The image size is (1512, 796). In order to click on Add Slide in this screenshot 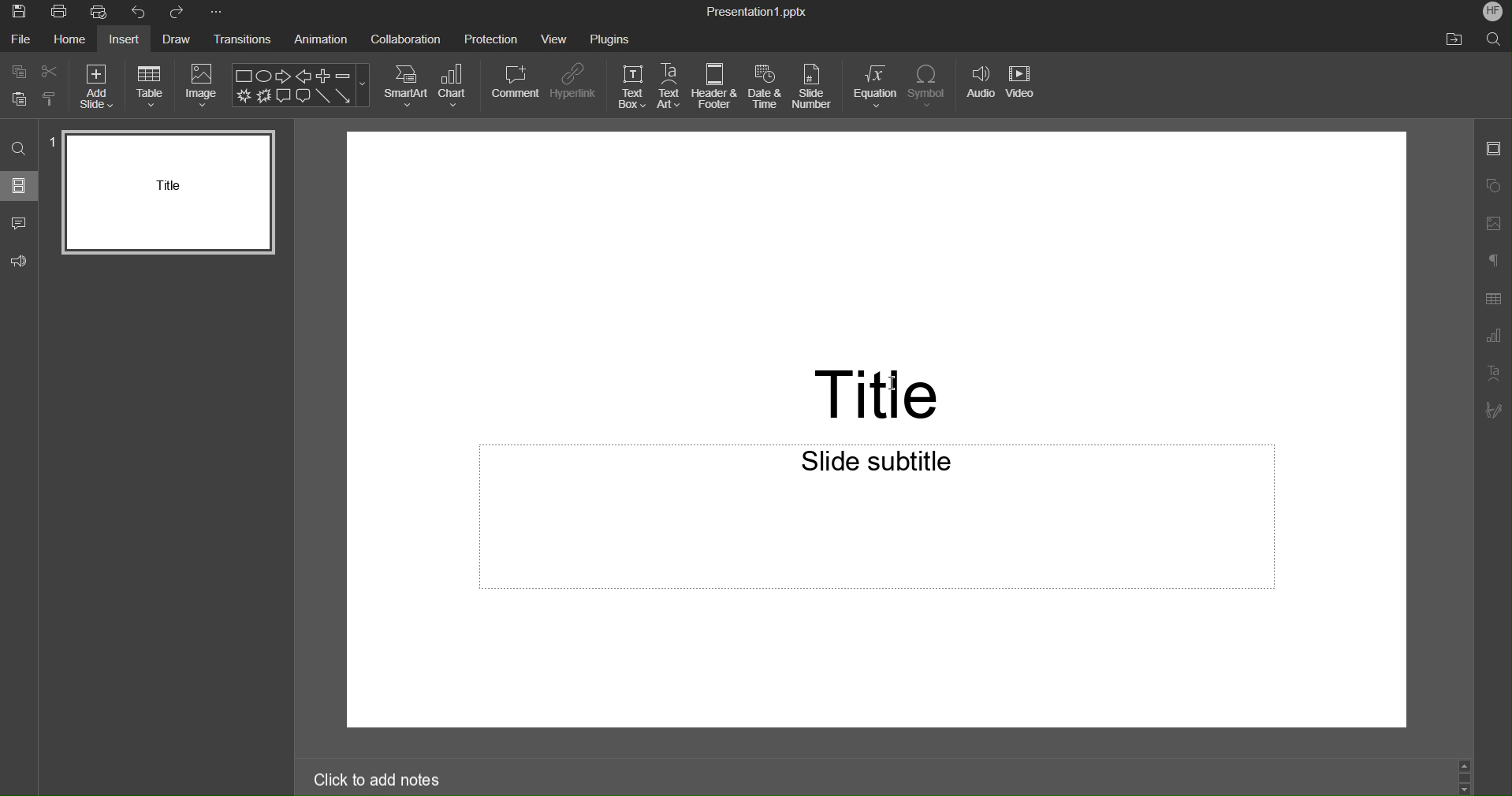, I will do `click(99, 84)`.